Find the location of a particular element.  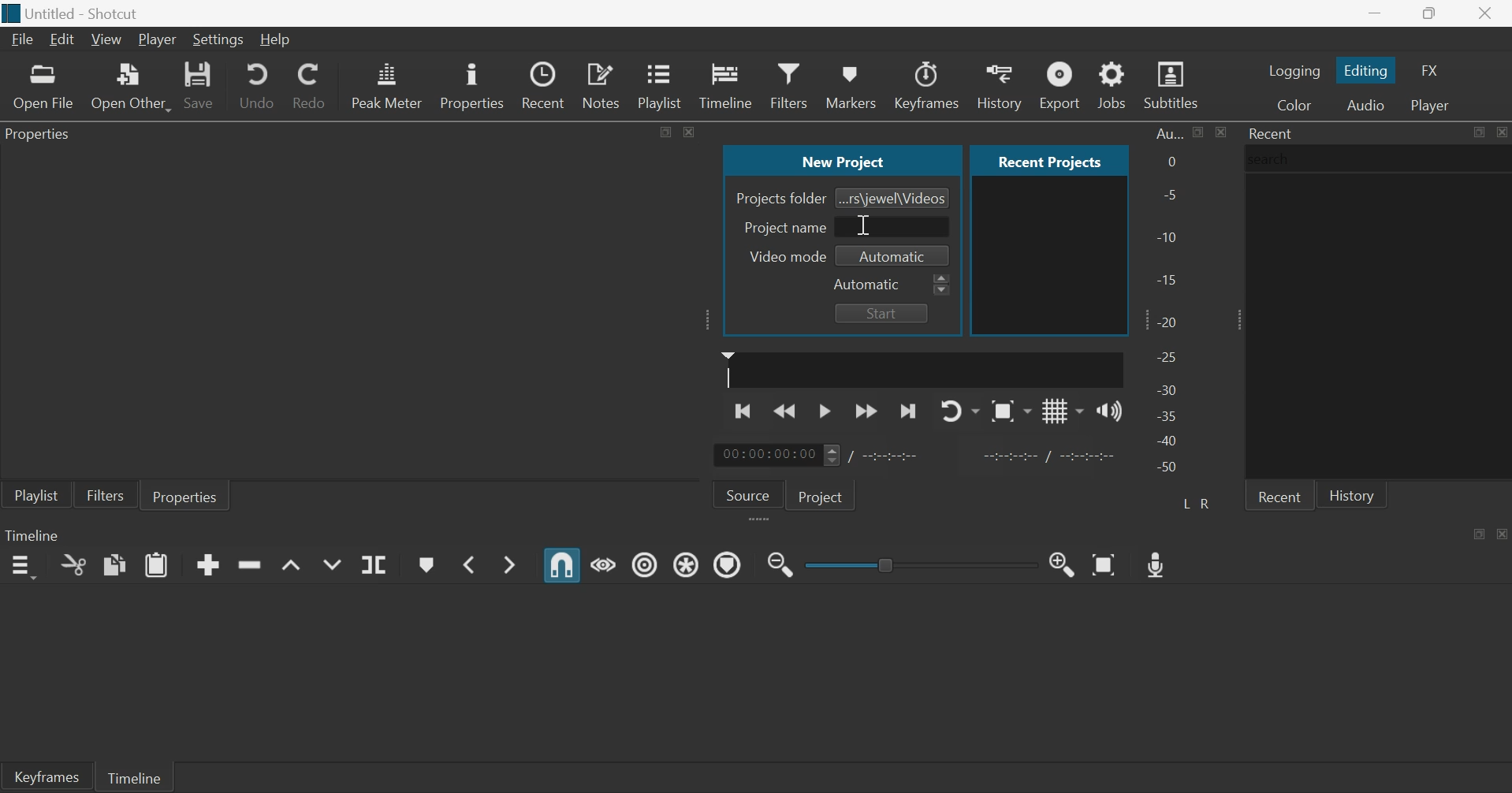

Keyframes is located at coordinates (928, 85).